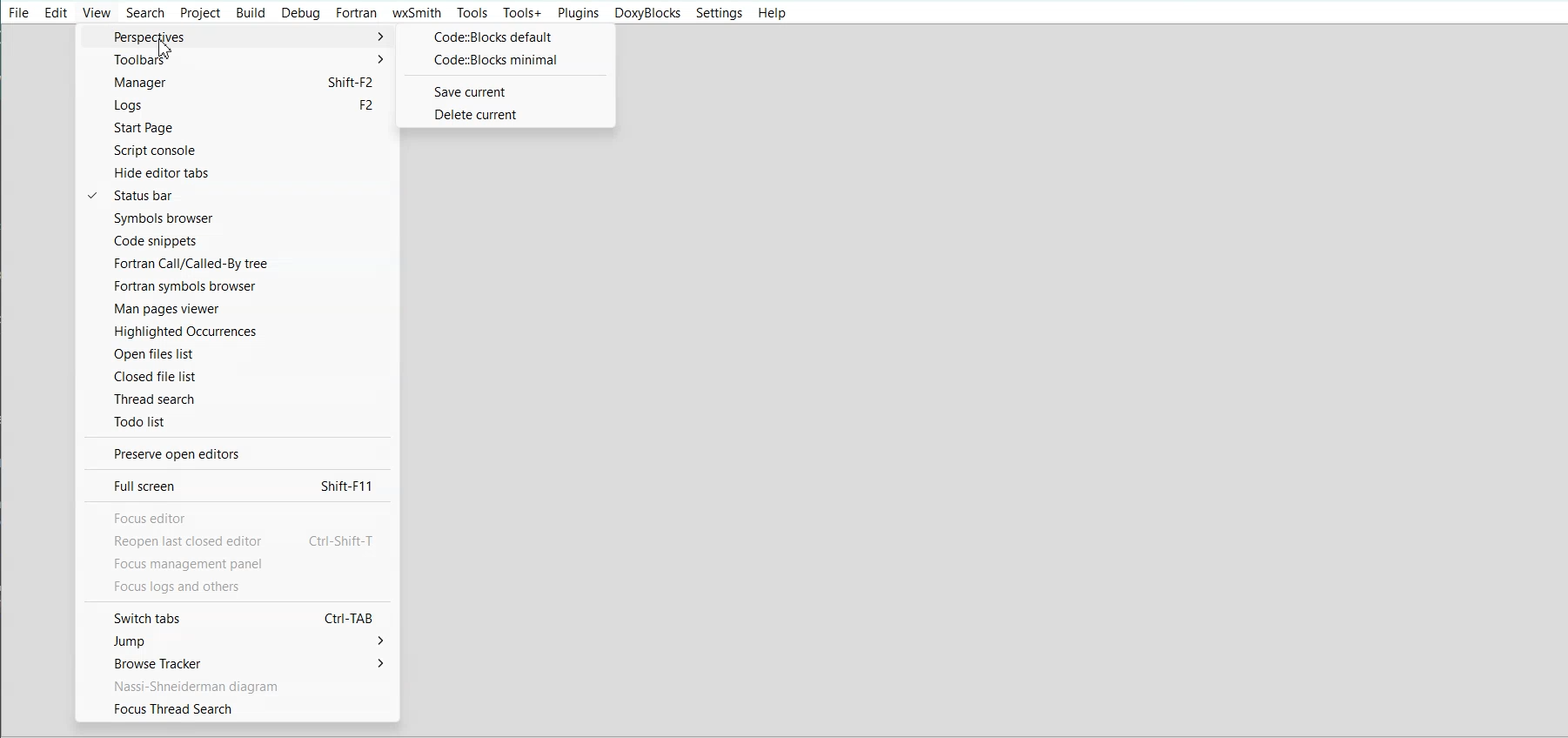 This screenshot has width=1568, height=738. Describe the element at coordinates (241, 552) in the screenshot. I see `text` at that location.